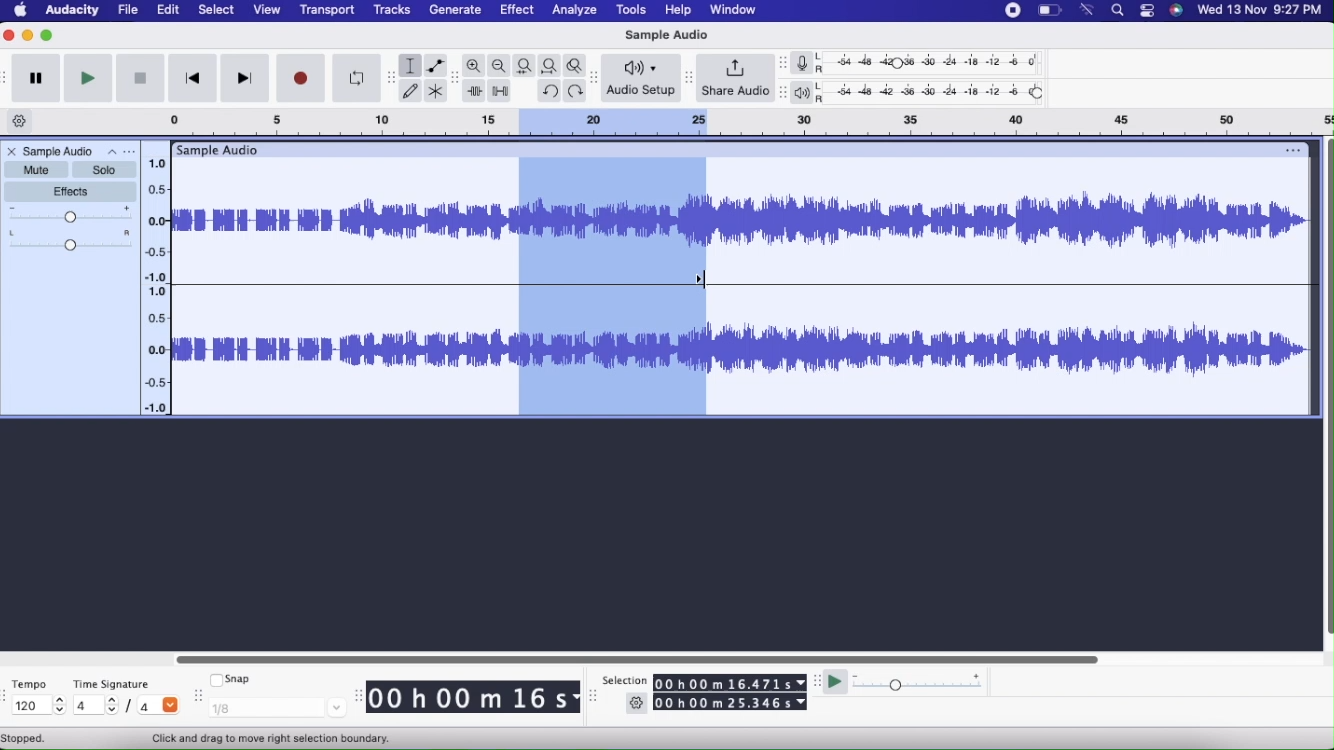  I want to click on Close, so click(11, 153).